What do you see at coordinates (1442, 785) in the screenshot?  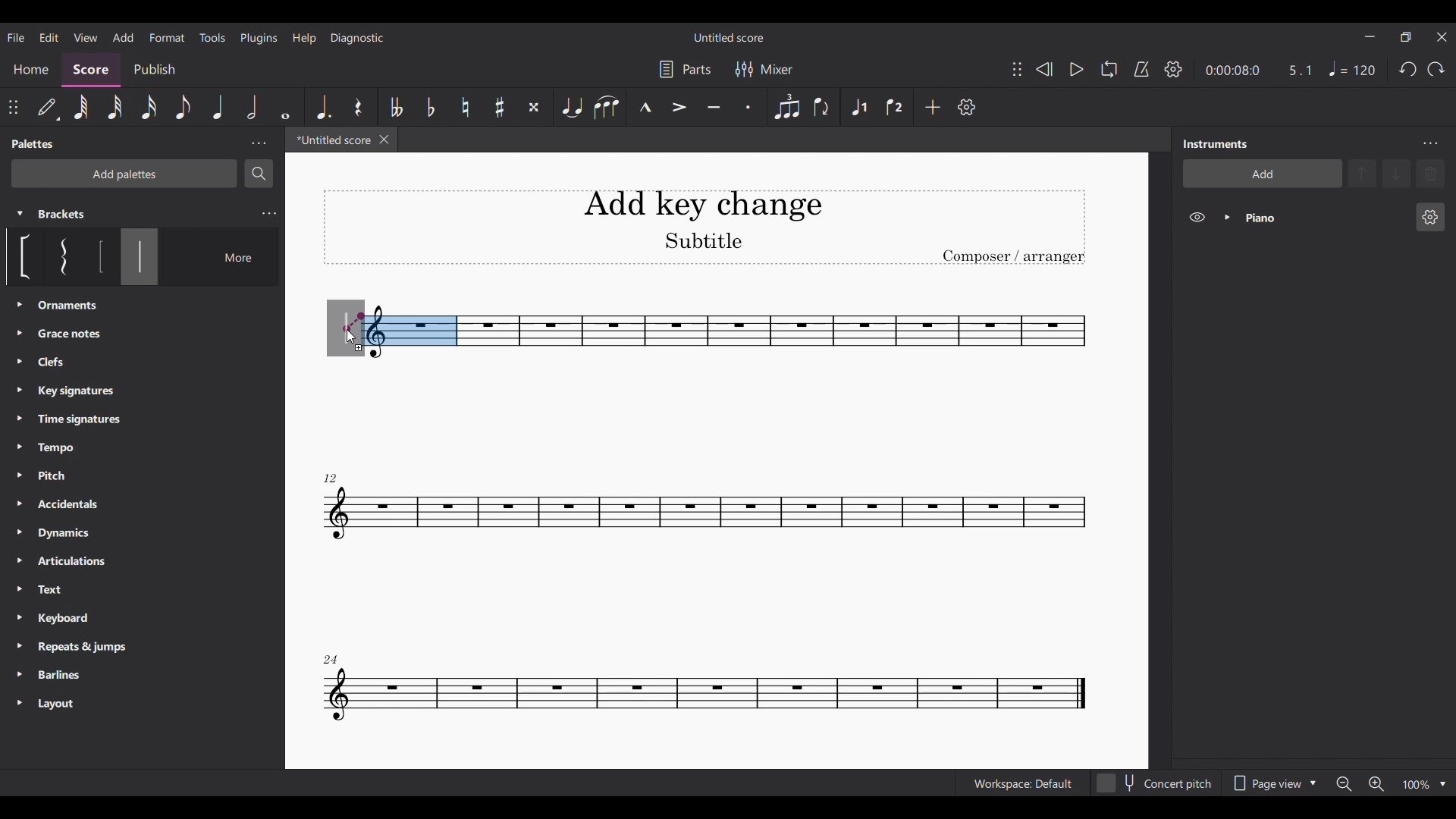 I see `Zoom options` at bounding box center [1442, 785].